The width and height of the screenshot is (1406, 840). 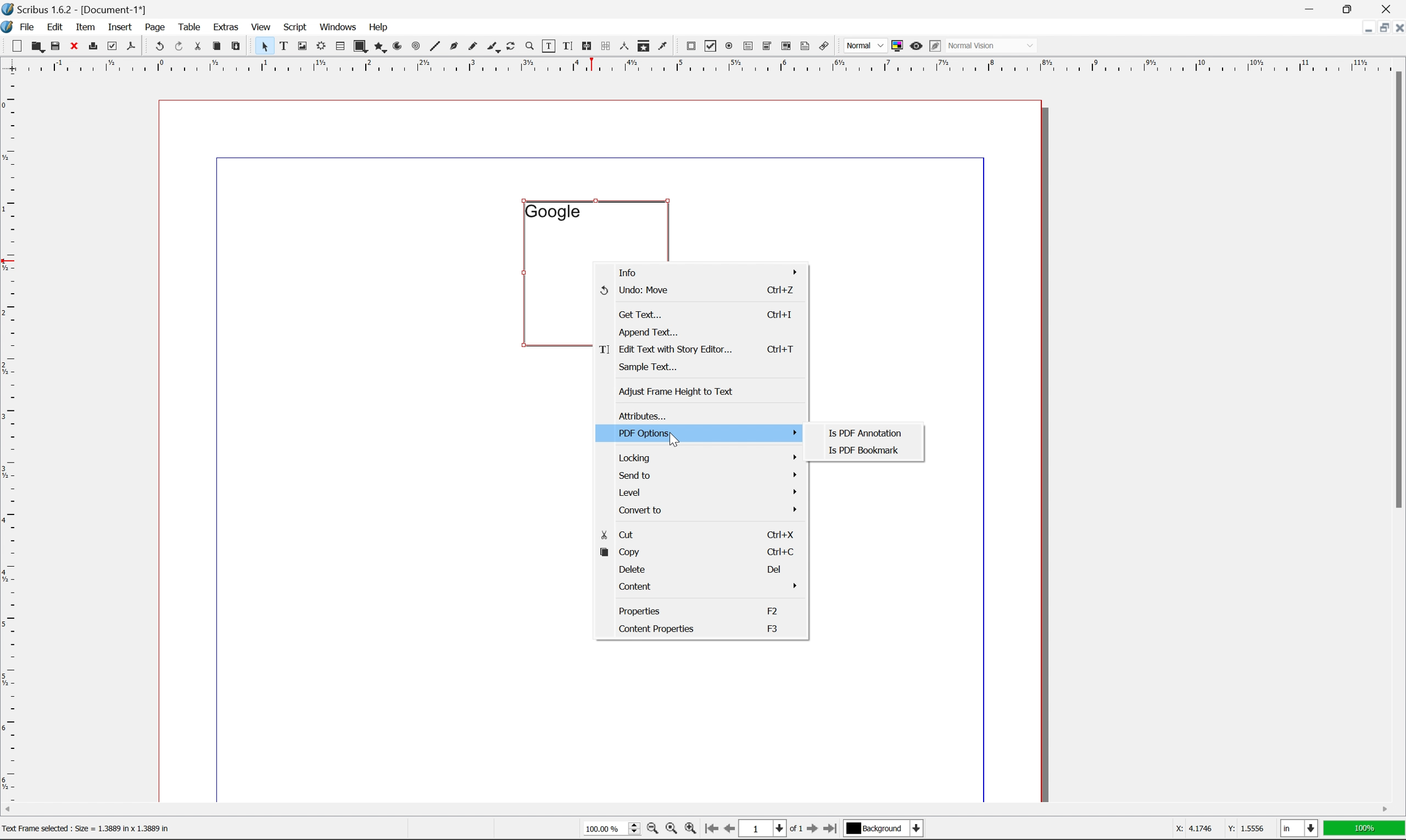 I want to click on properties, so click(x=642, y=610).